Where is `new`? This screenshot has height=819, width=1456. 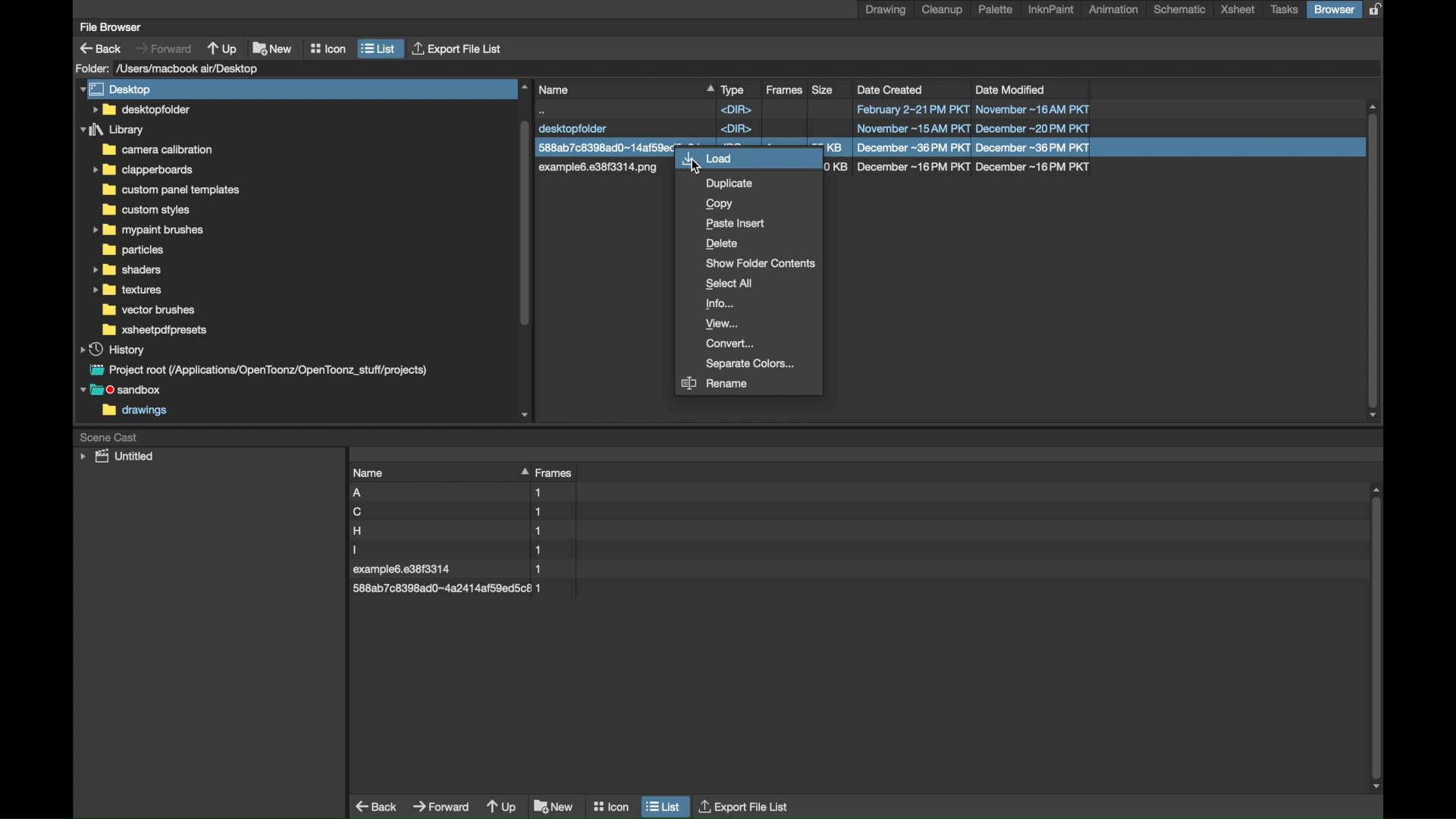
new is located at coordinates (273, 46).